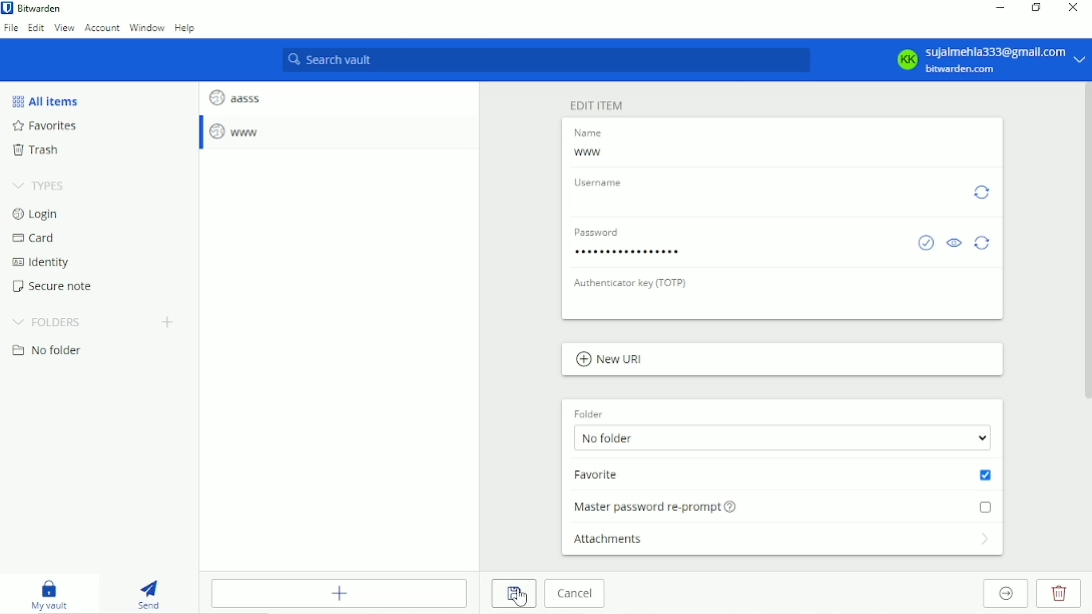 This screenshot has width=1092, height=614. What do you see at coordinates (588, 411) in the screenshot?
I see `Folder` at bounding box center [588, 411].